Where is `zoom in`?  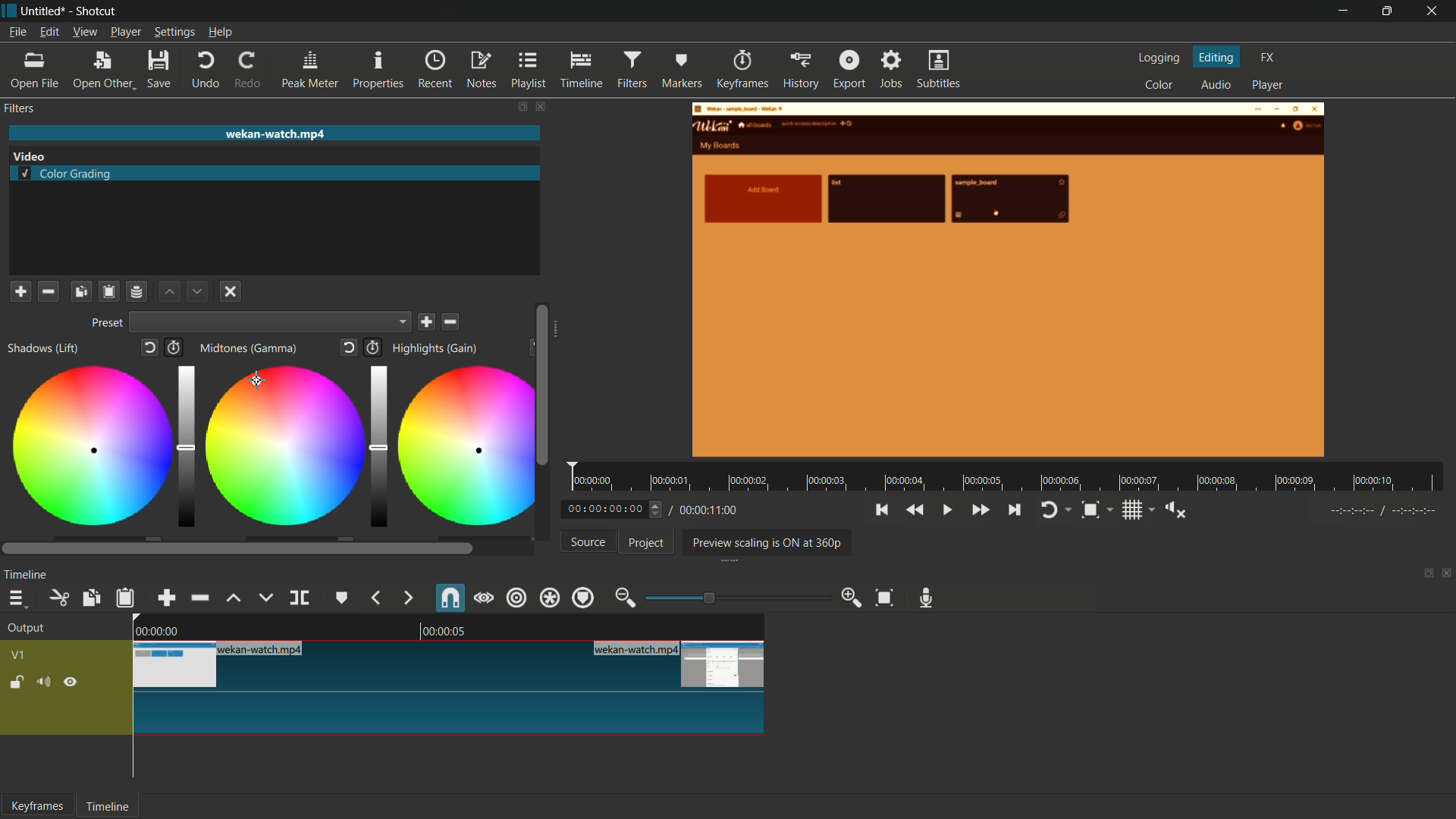 zoom in is located at coordinates (850, 597).